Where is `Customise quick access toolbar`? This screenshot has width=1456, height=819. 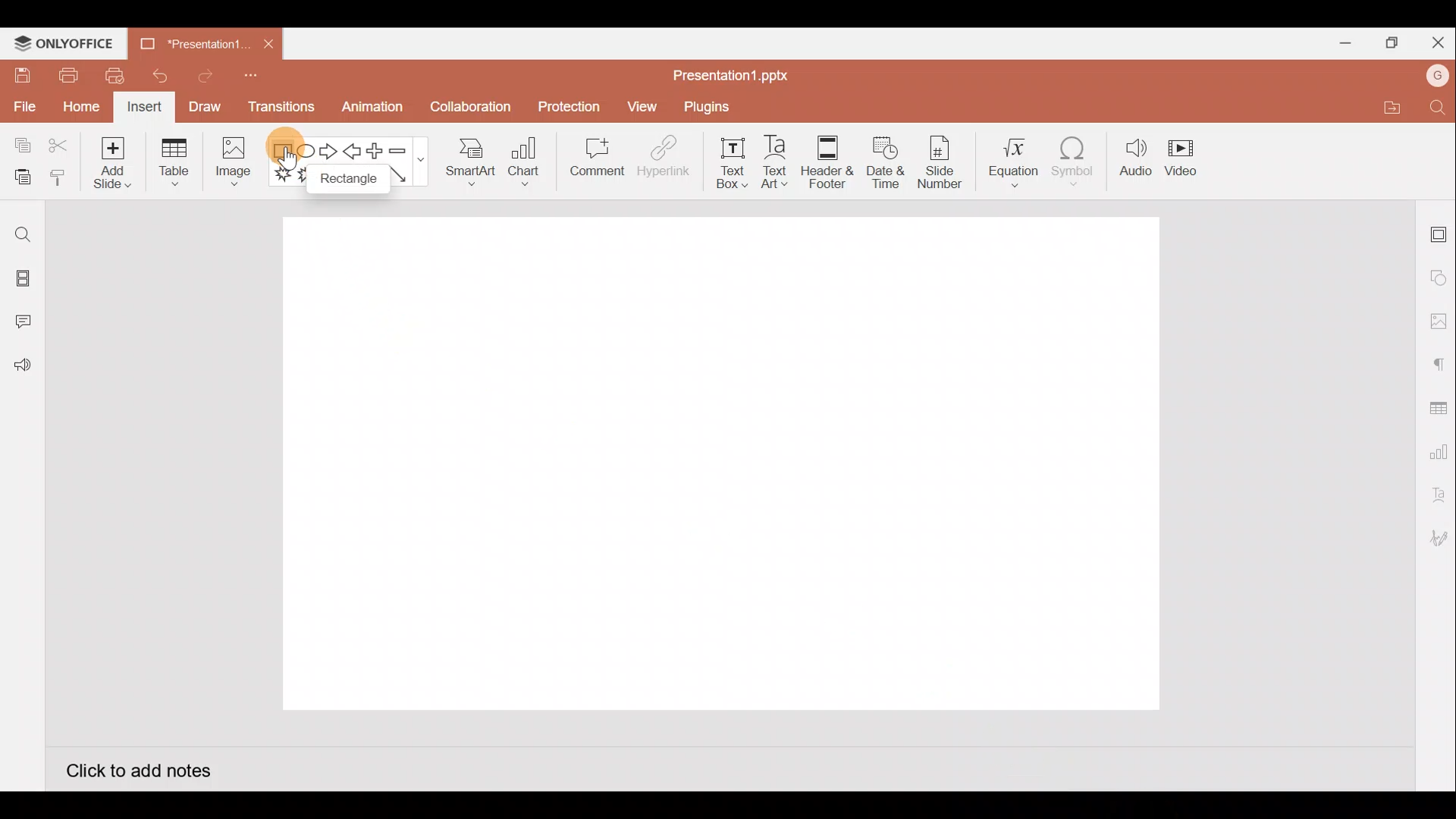
Customise quick access toolbar is located at coordinates (256, 80).